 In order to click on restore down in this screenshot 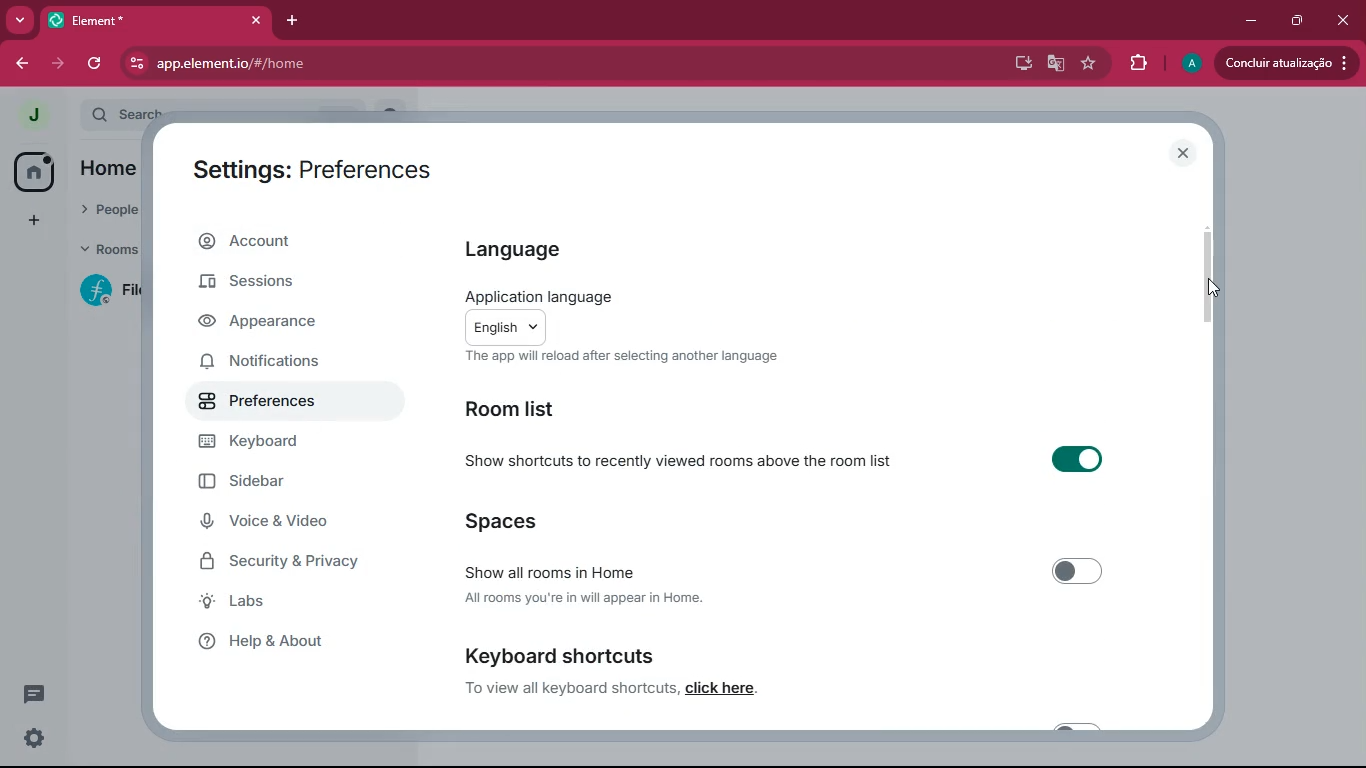, I will do `click(1298, 21)`.